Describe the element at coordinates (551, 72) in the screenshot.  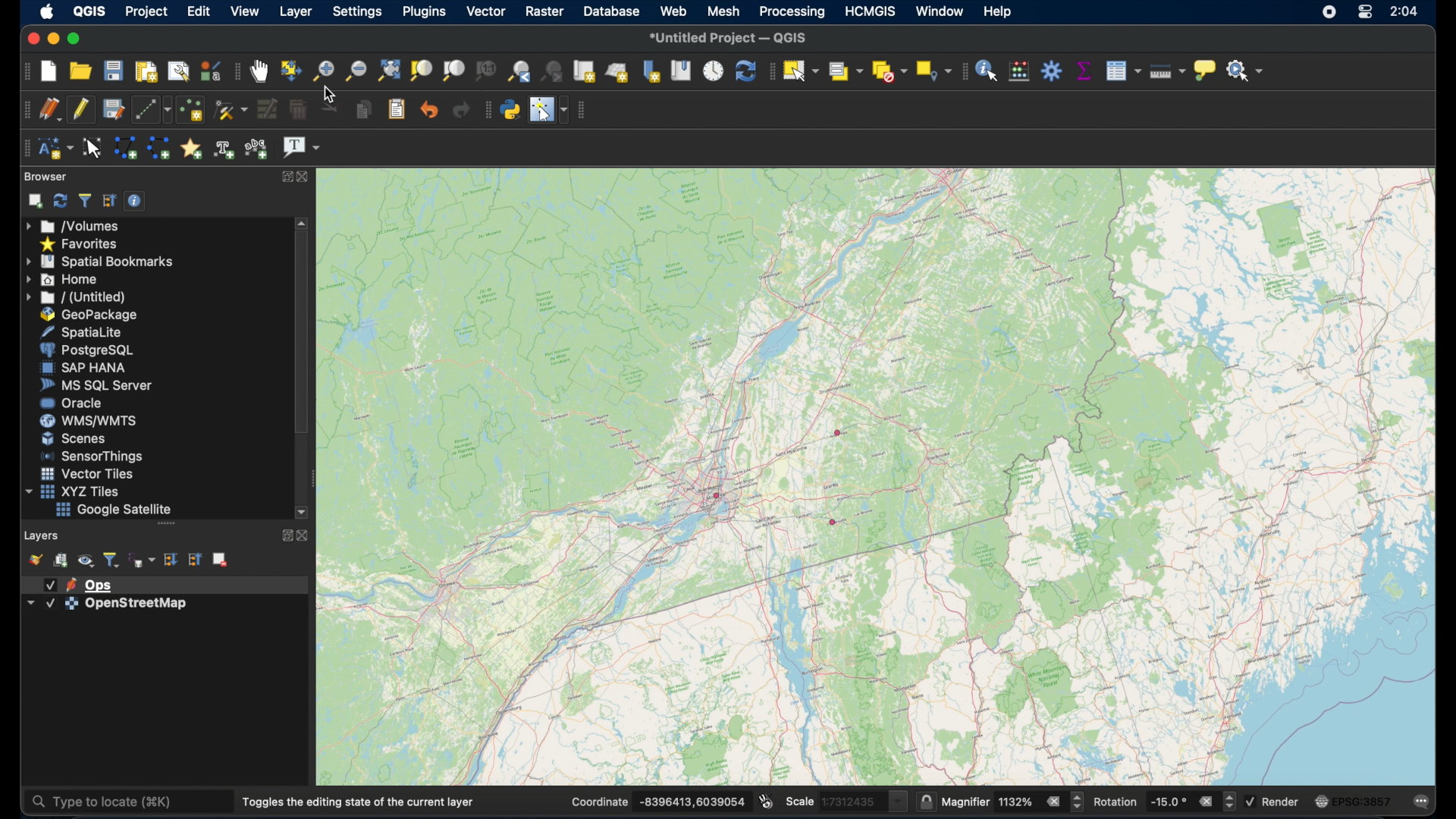
I see `zoom next` at that location.